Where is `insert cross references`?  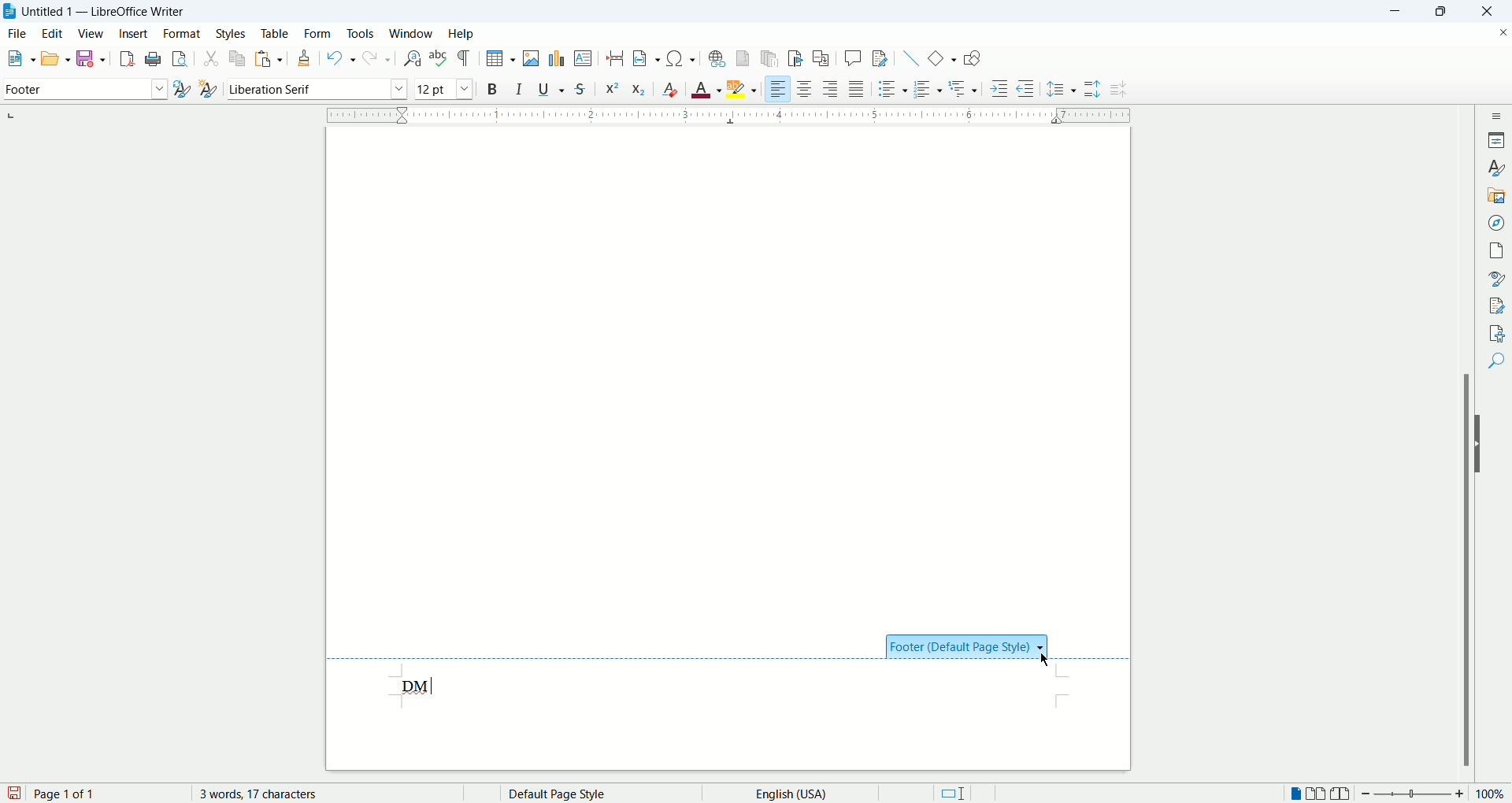 insert cross references is located at coordinates (821, 59).